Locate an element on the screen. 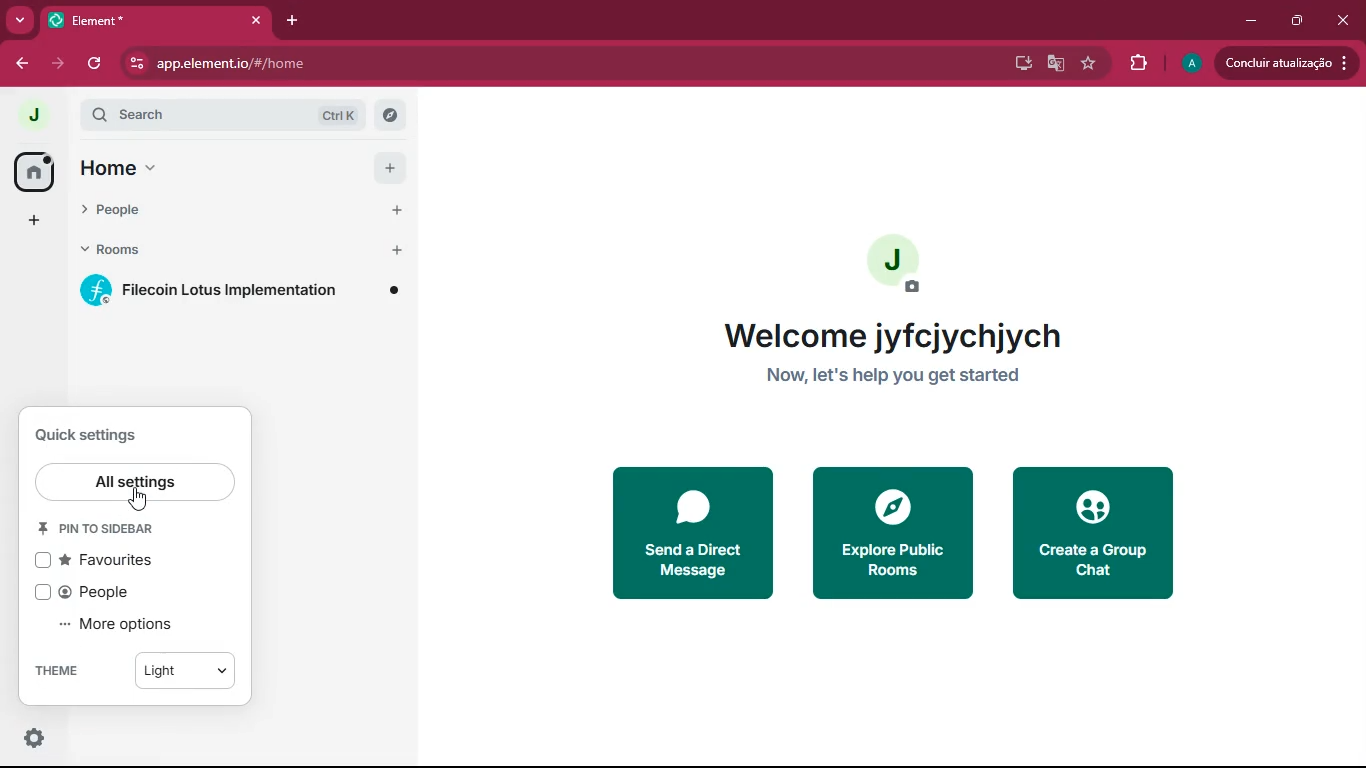 The image size is (1366, 768). pin to sidebar is located at coordinates (97, 528).